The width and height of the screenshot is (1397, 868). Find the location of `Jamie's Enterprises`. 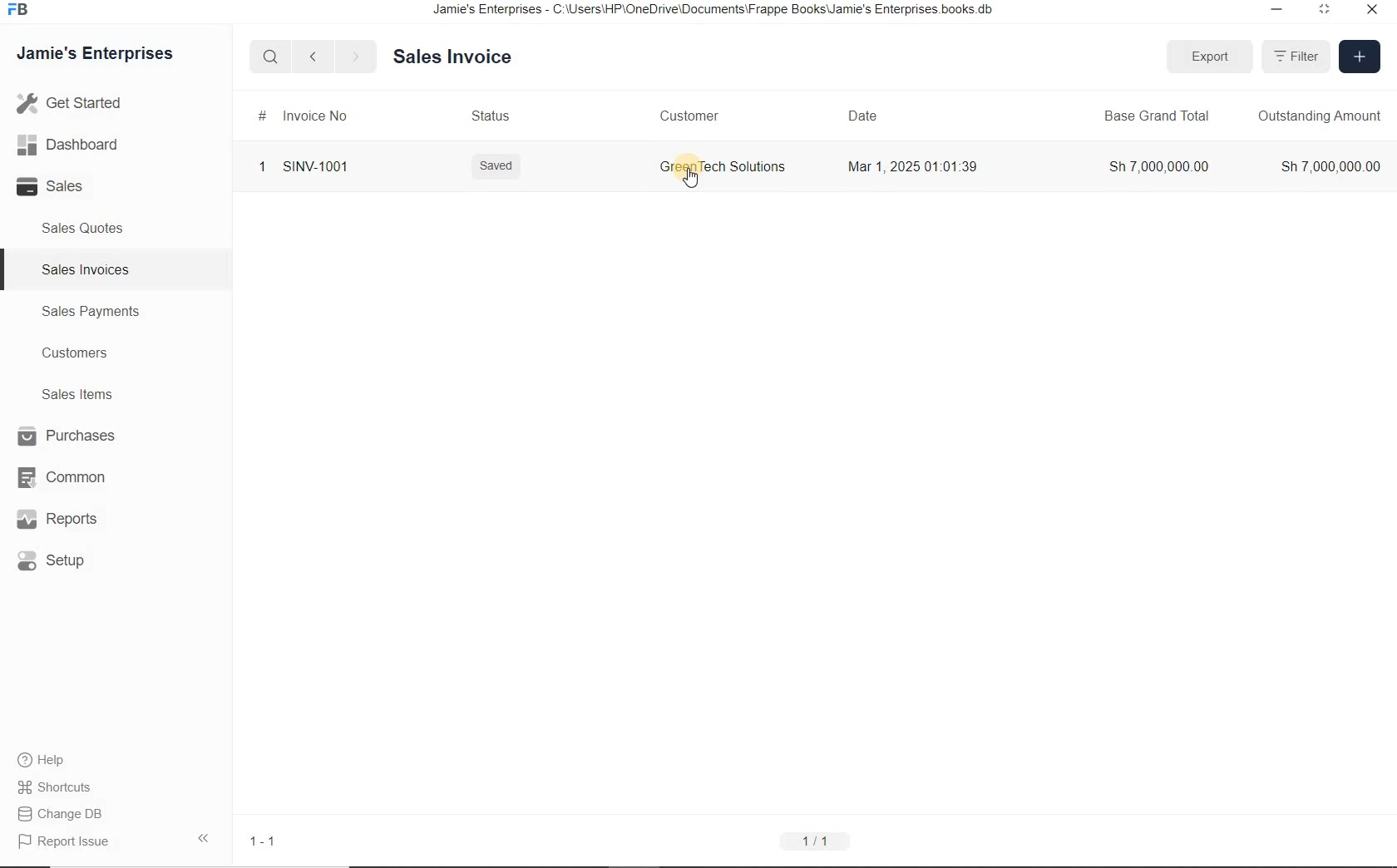

Jamie's Enterprises is located at coordinates (93, 54).